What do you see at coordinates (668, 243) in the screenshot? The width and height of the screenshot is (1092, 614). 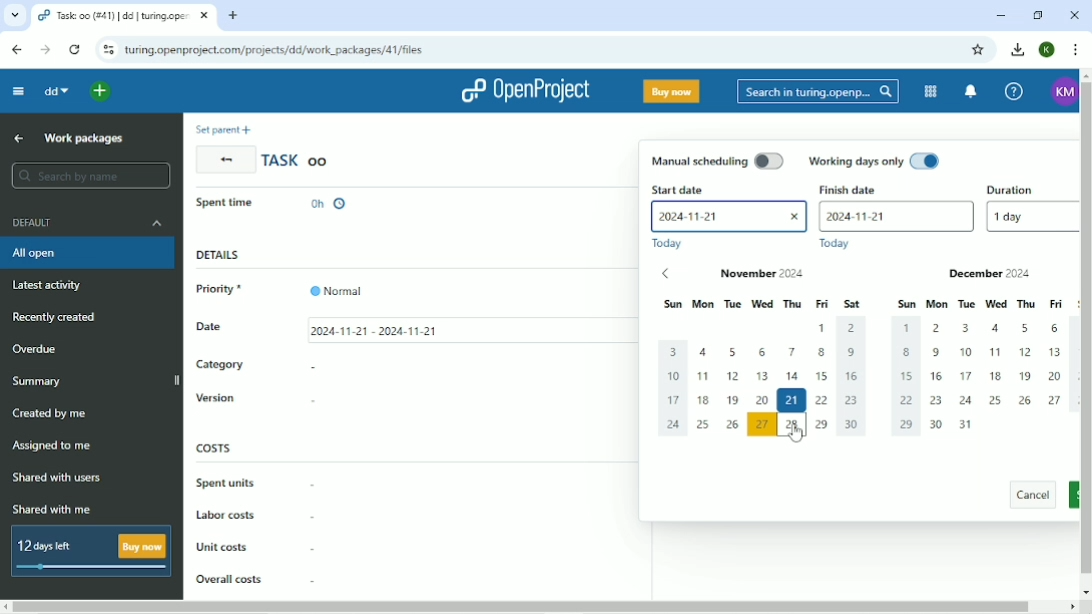 I see `Today` at bounding box center [668, 243].